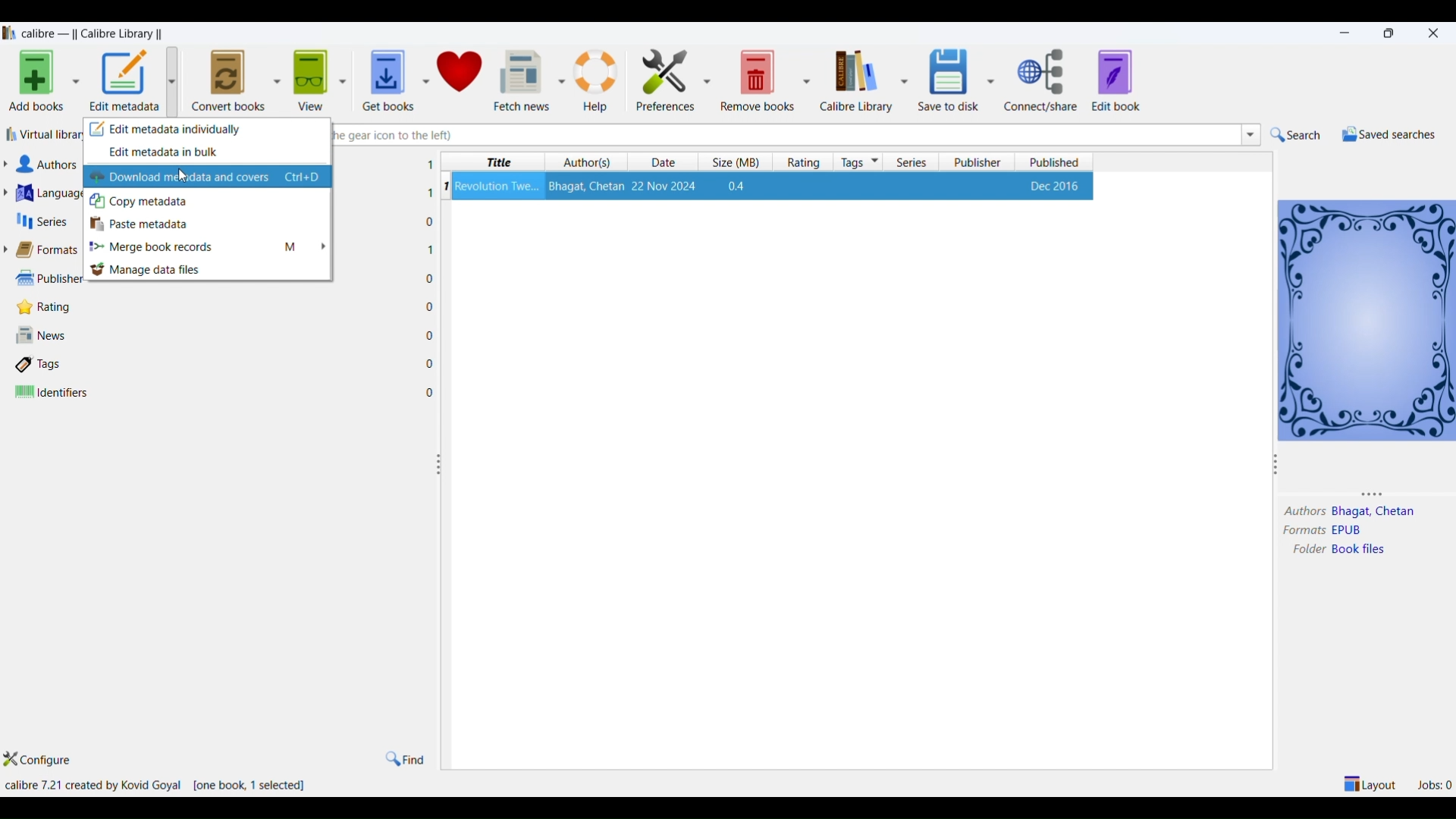  What do you see at coordinates (1434, 783) in the screenshot?
I see `jobs` at bounding box center [1434, 783].